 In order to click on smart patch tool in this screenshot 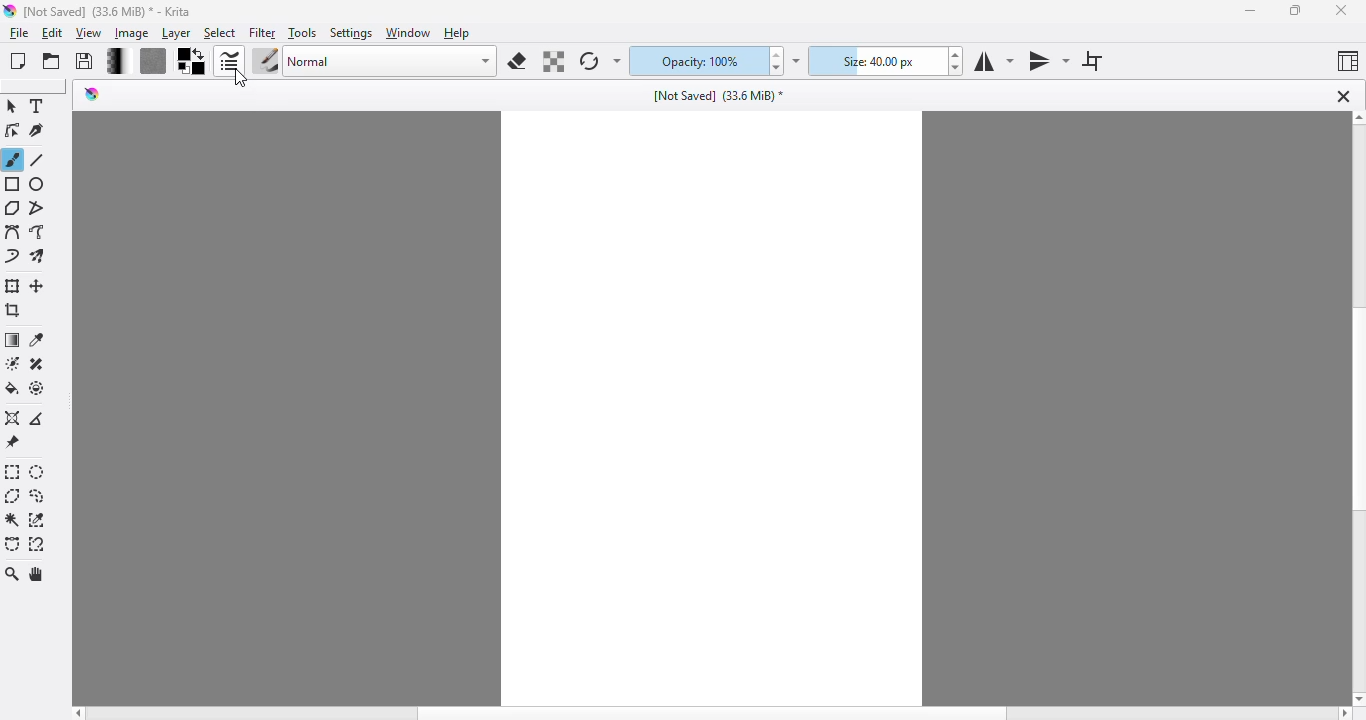, I will do `click(37, 363)`.